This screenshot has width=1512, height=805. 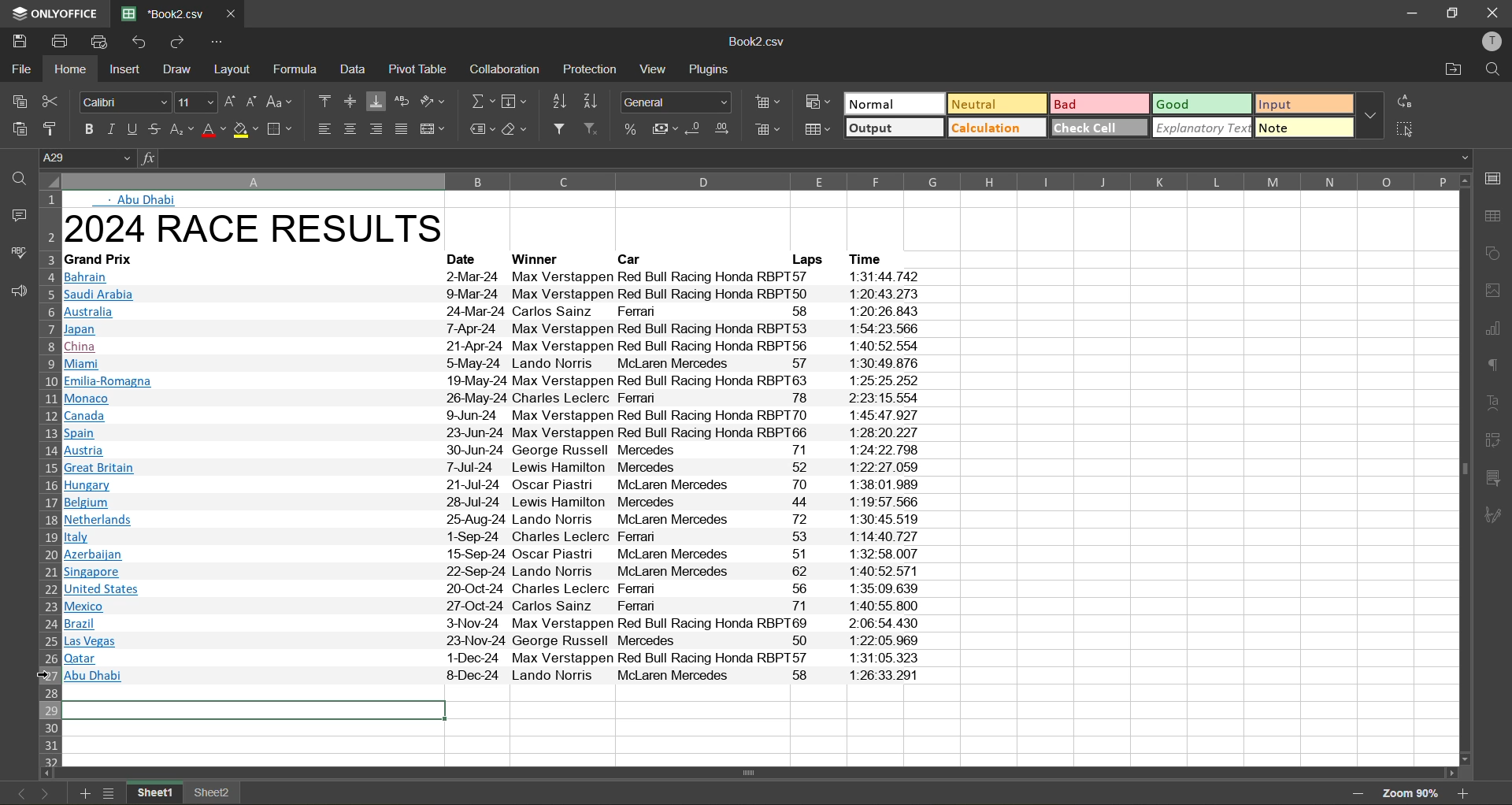 What do you see at coordinates (351, 128) in the screenshot?
I see `align center` at bounding box center [351, 128].